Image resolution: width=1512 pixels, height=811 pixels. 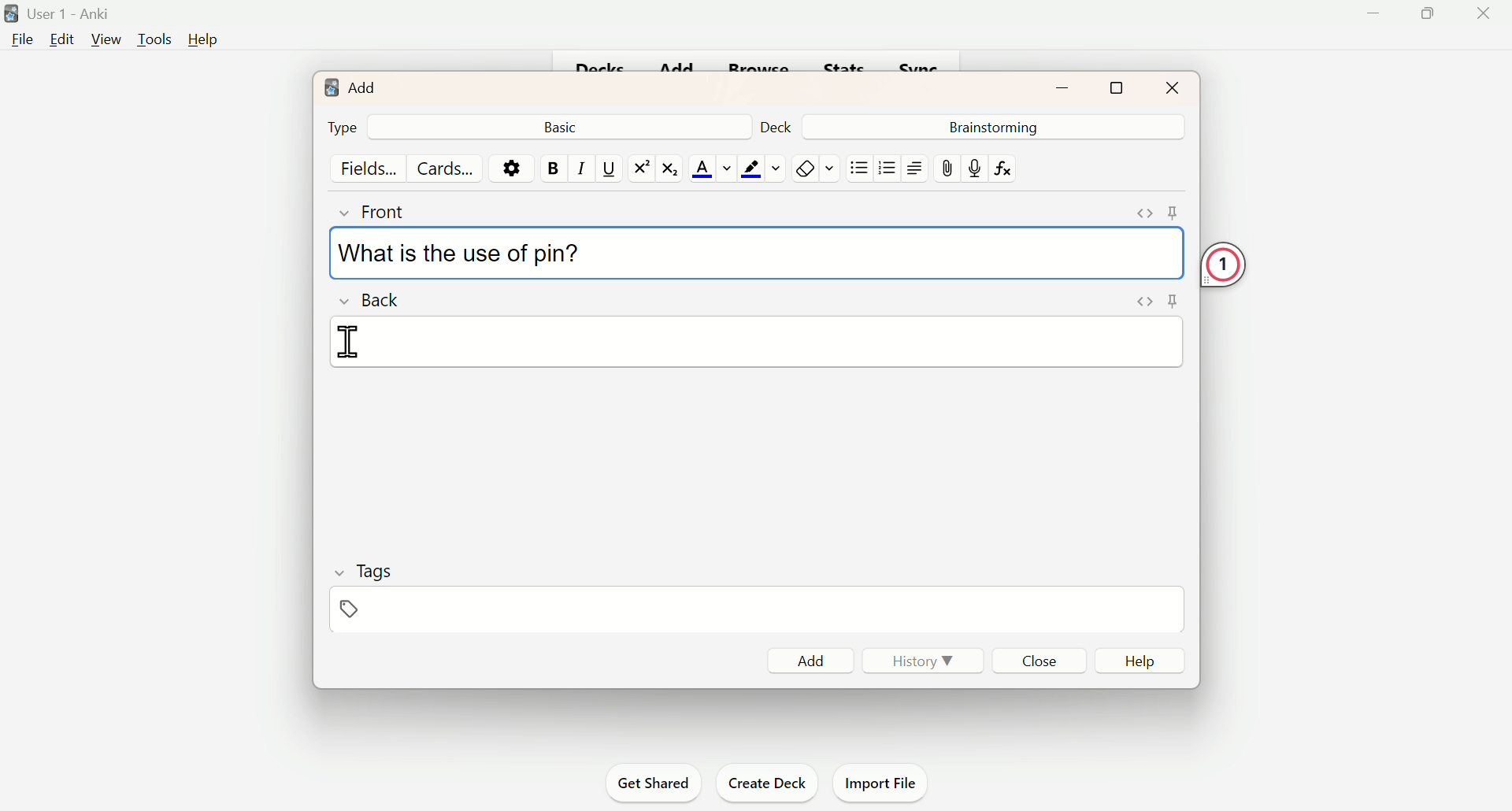 What do you see at coordinates (1065, 86) in the screenshot?
I see `Minimize` at bounding box center [1065, 86].